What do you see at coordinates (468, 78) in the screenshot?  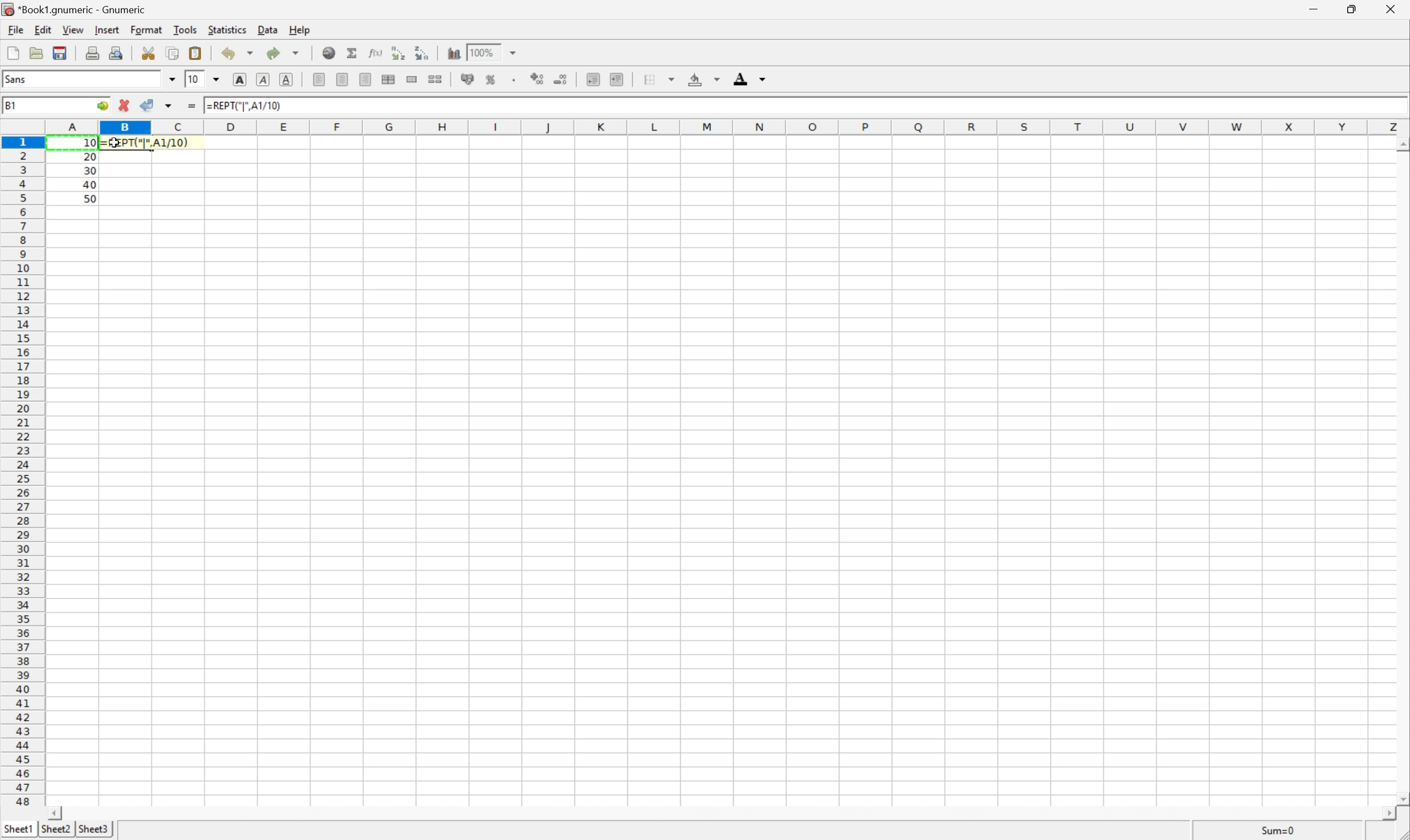 I see `Format selection as accounting` at bounding box center [468, 78].